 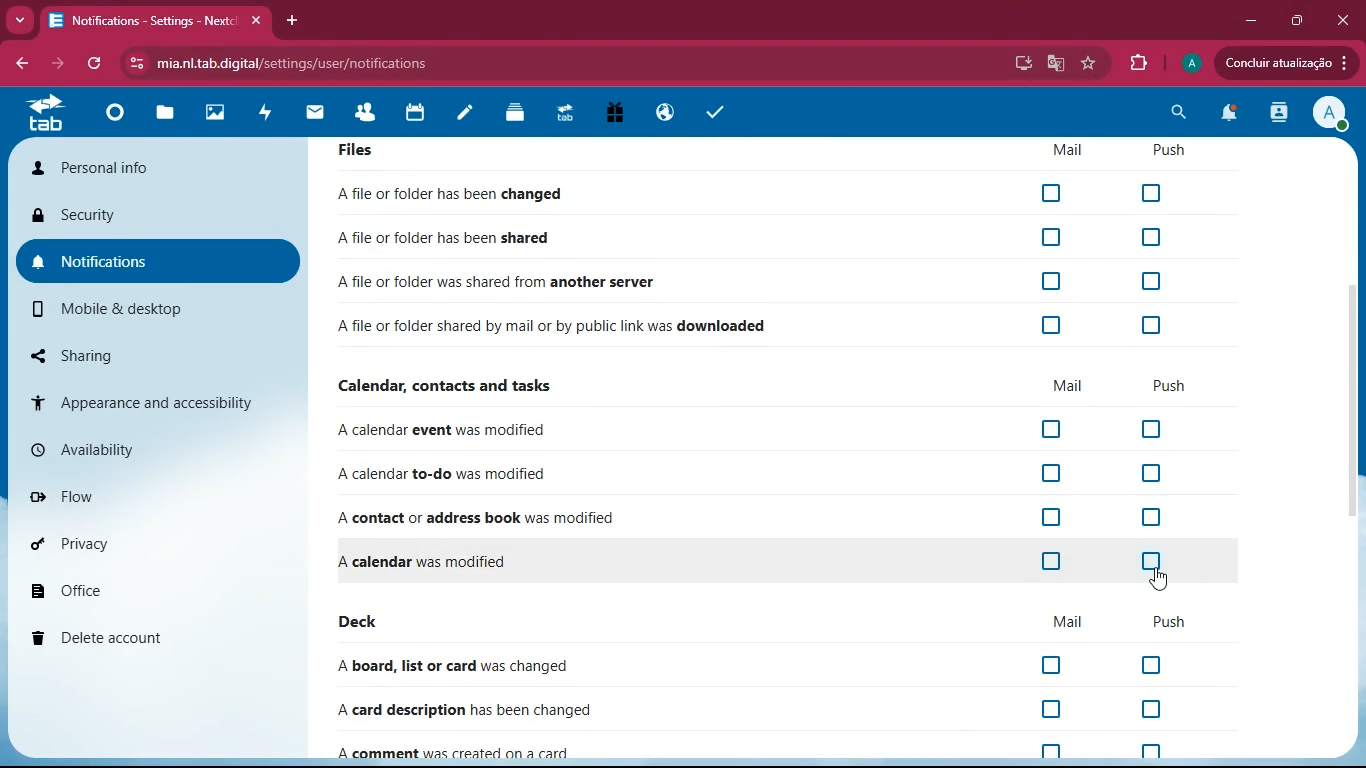 What do you see at coordinates (1049, 327) in the screenshot?
I see `Checkbox` at bounding box center [1049, 327].